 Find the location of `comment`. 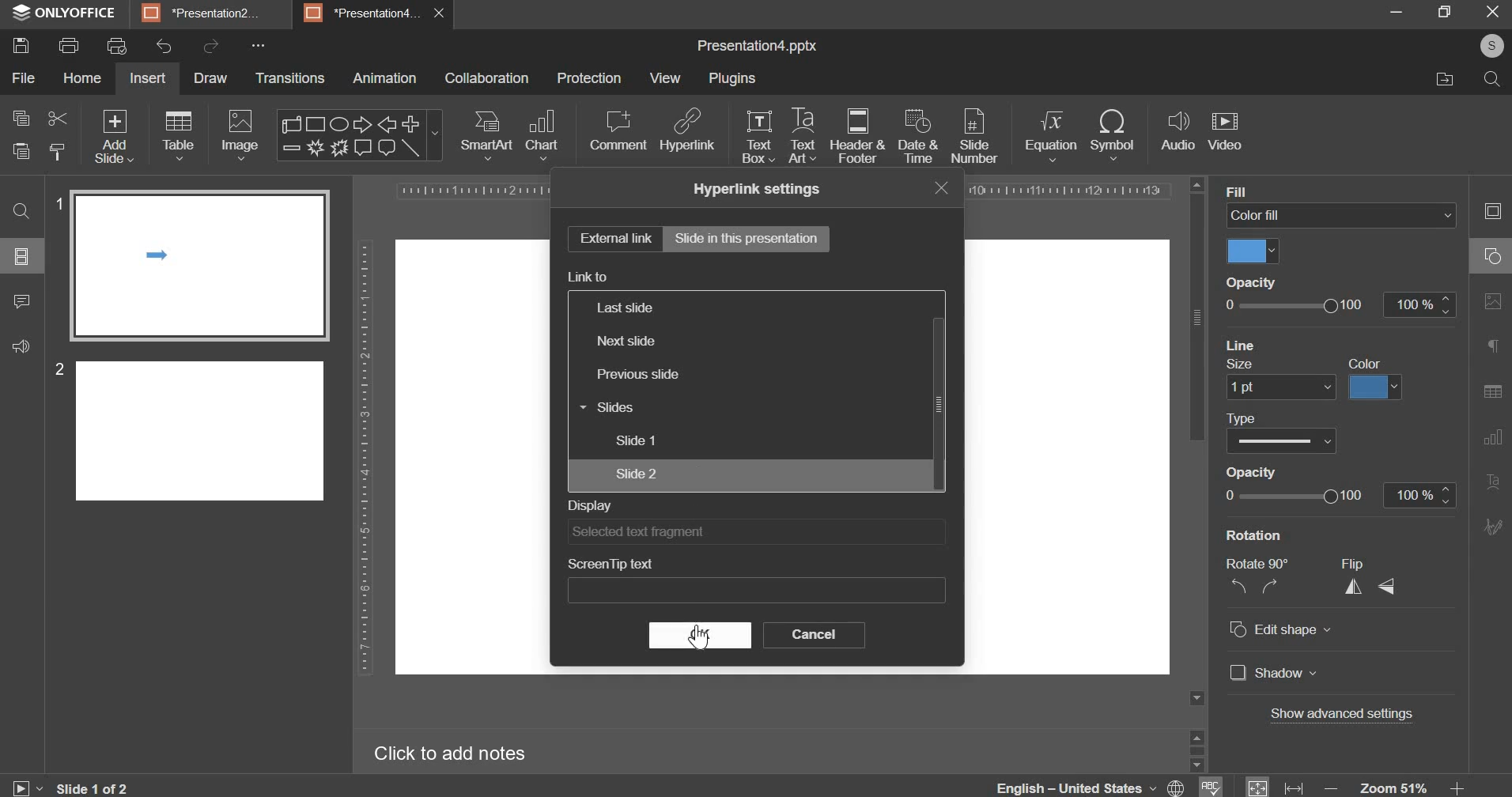

comment is located at coordinates (23, 308).